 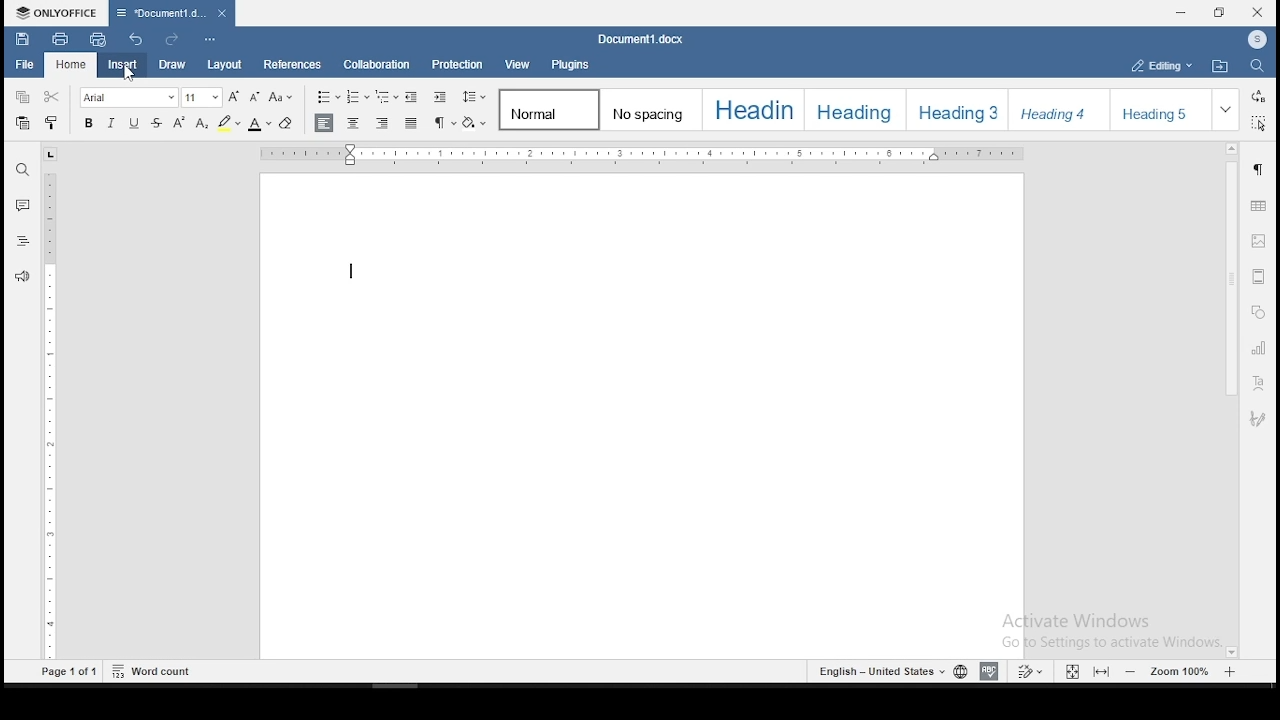 I want to click on track changes, so click(x=1032, y=670).